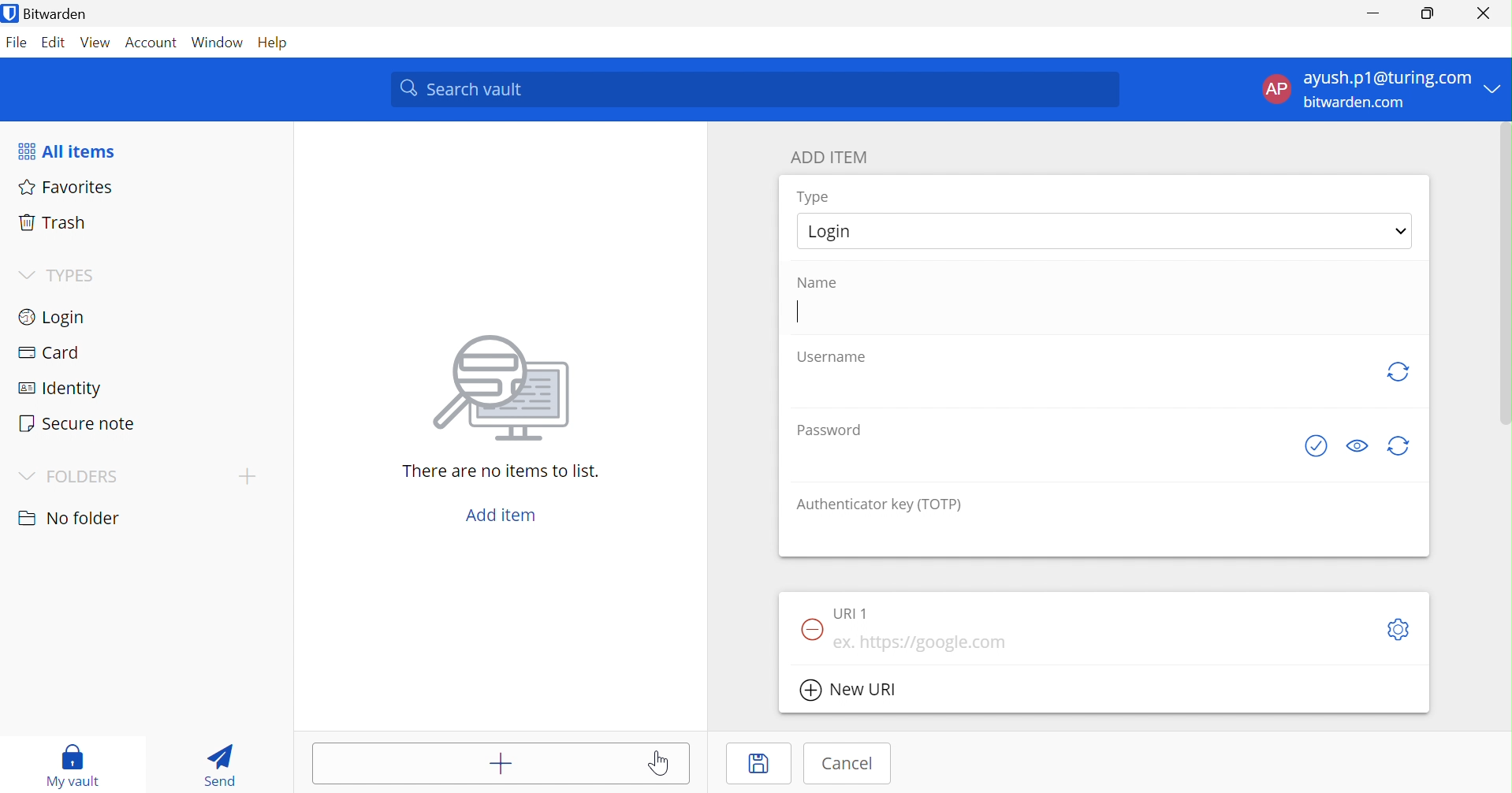  What do you see at coordinates (28, 276) in the screenshot?
I see `Drop Down` at bounding box center [28, 276].